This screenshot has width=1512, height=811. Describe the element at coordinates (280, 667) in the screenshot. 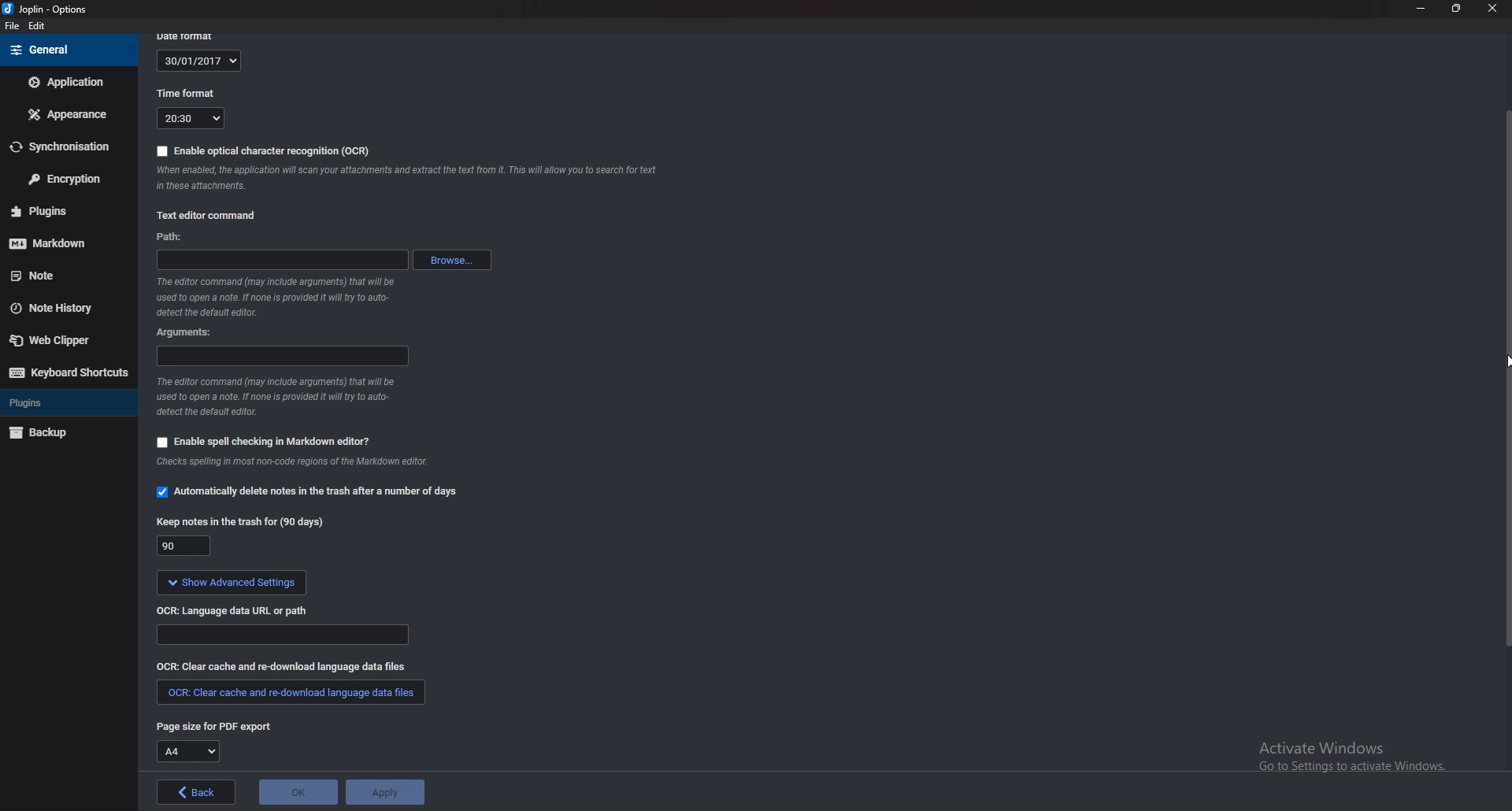

I see `clear cache and redownload language data` at that location.